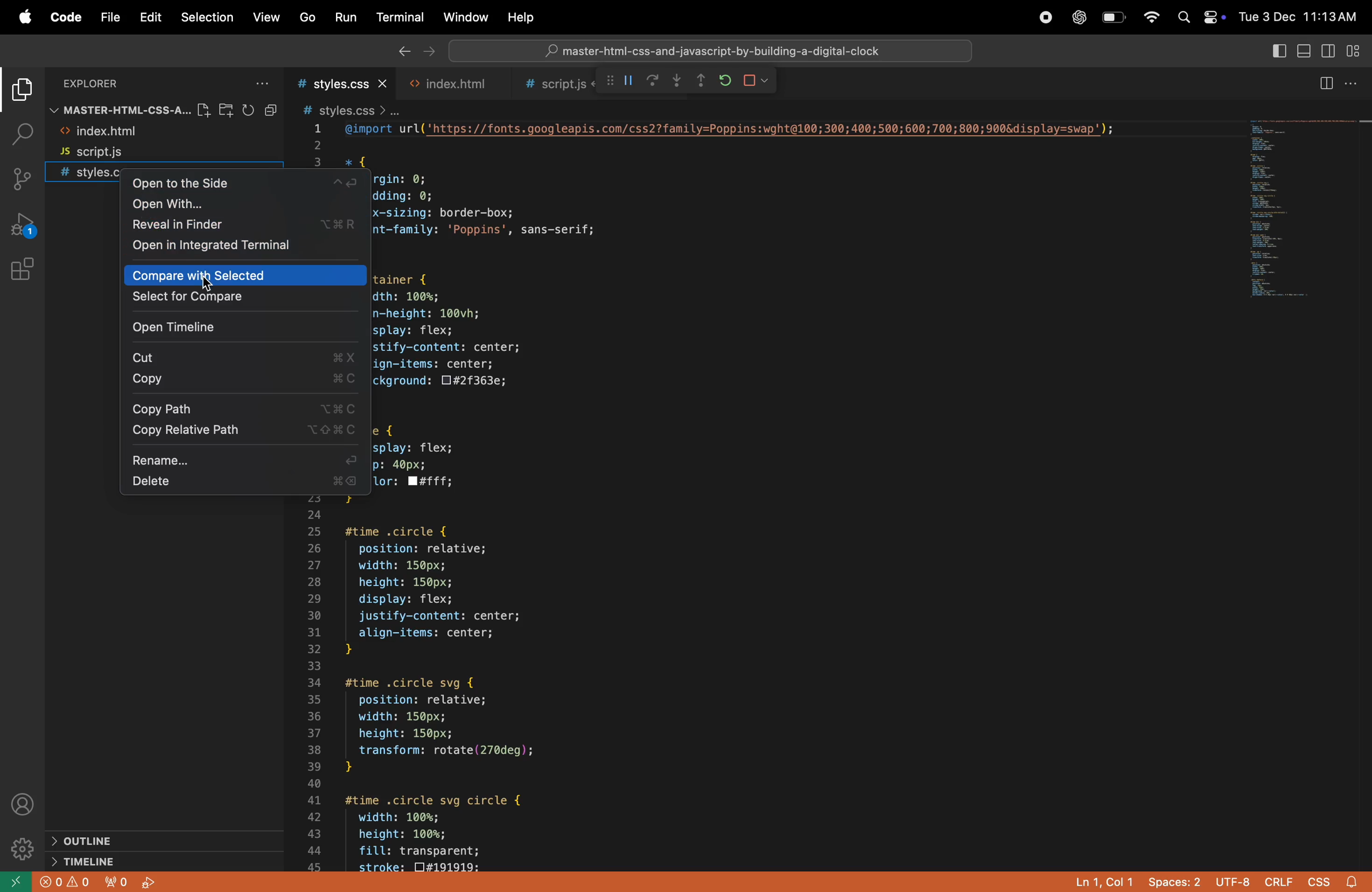 This screenshot has width=1372, height=892. I want to click on wifi, so click(1150, 16).